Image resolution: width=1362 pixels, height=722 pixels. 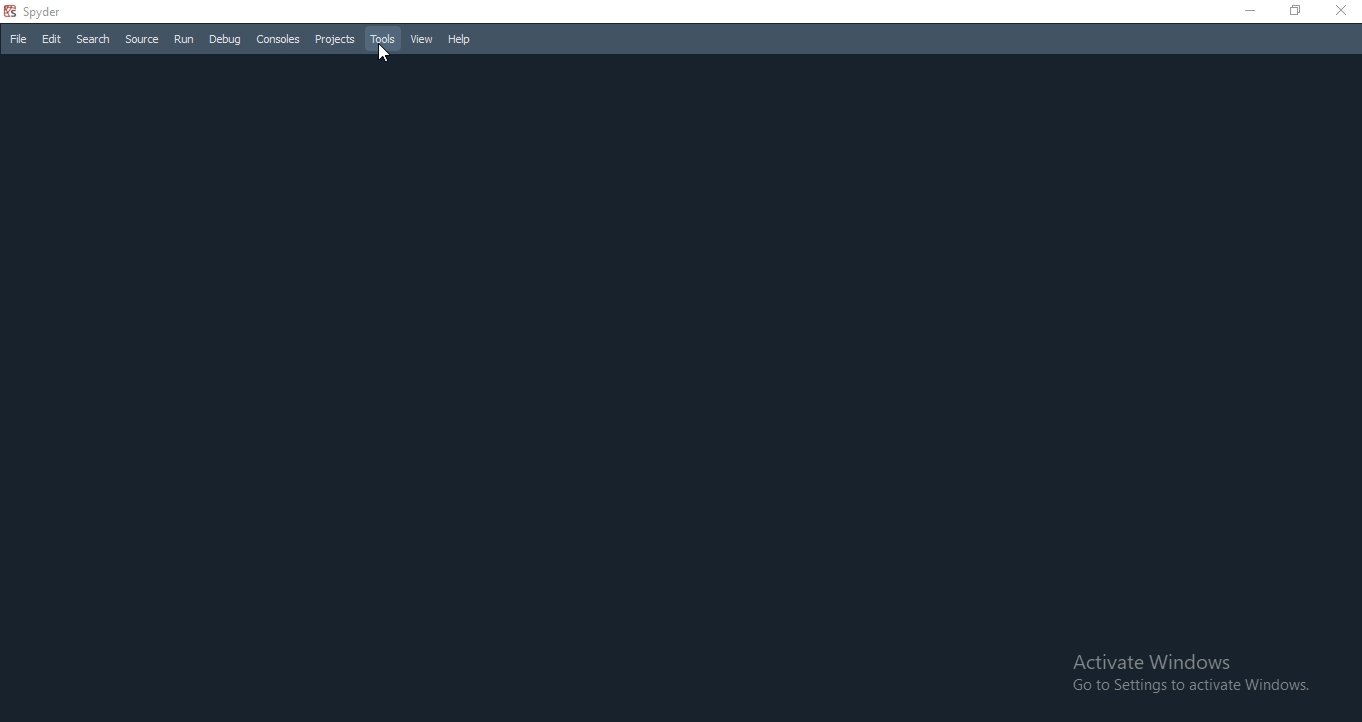 I want to click on Close, so click(x=1342, y=10).